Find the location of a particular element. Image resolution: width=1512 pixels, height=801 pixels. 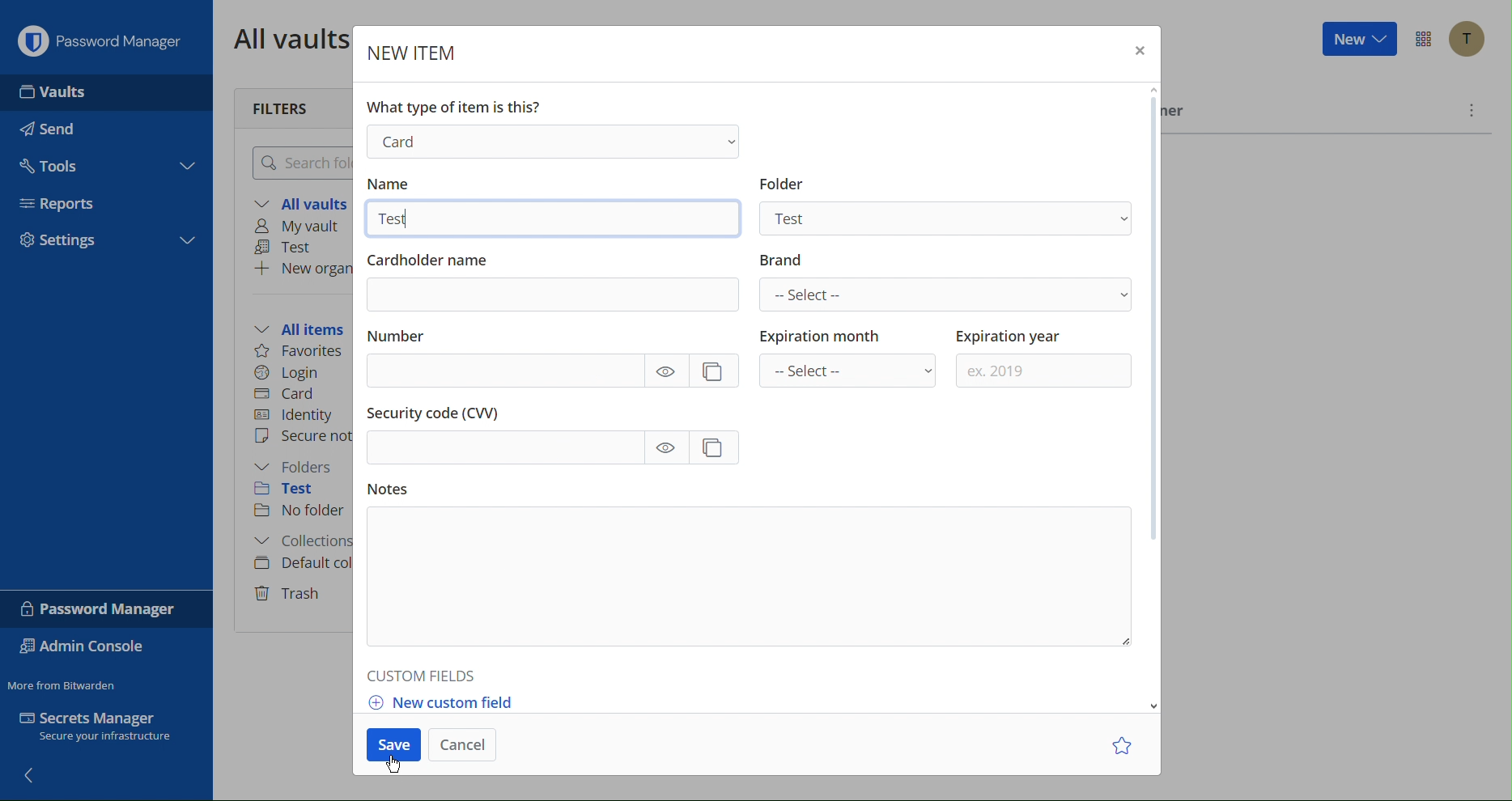

Test is located at coordinates (397, 220).